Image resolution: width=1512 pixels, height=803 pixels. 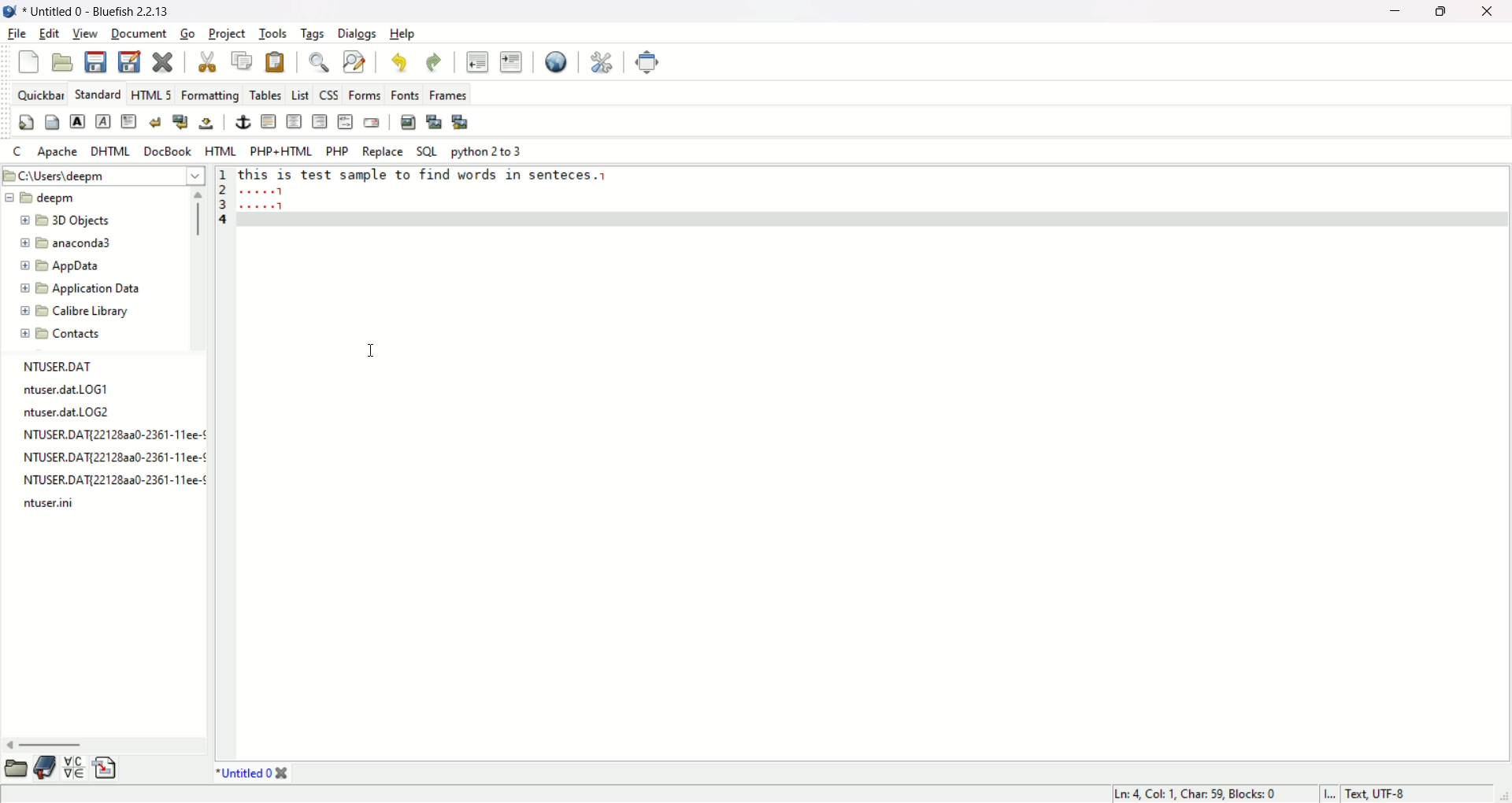 What do you see at coordinates (357, 35) in the screenshot?
I see `dialogs` at bounding box center [357, 35].